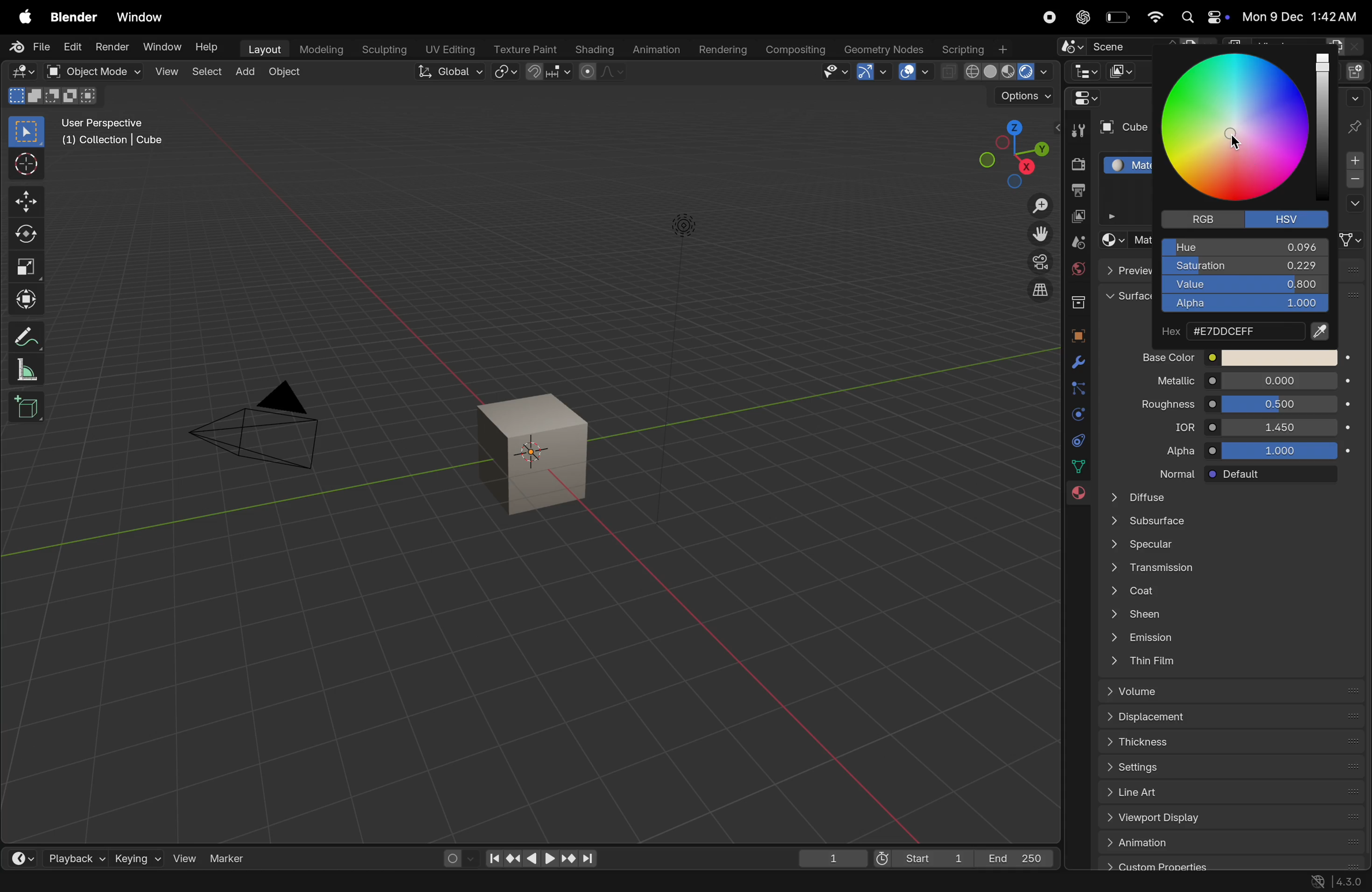  Describe the element at coordinates (448, 48) in the screenshot. I see `Uv editing` at that location.